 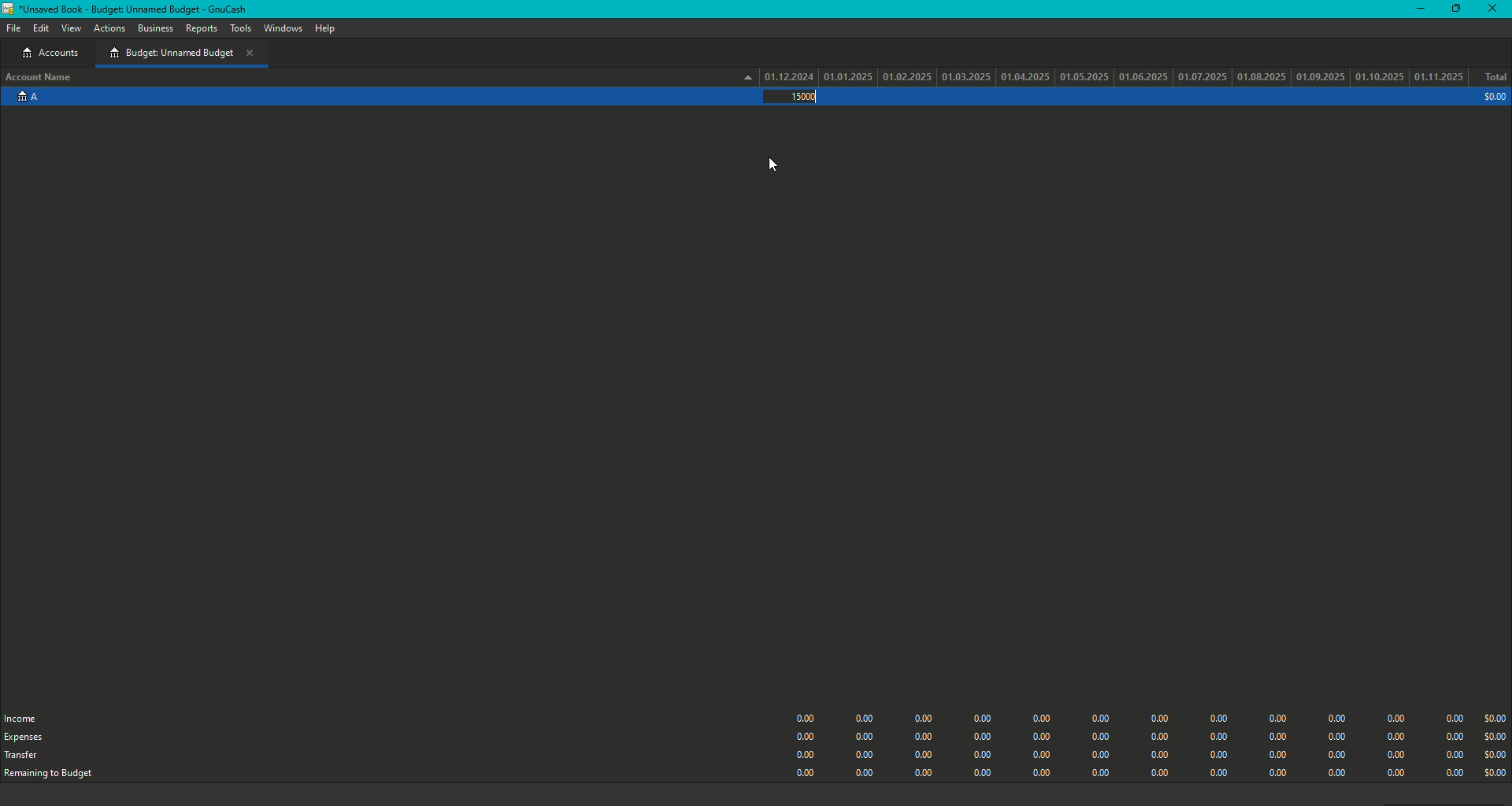 What do you see at coordinates (24, 738) in the screenshot?
I see `Expenses` at bounding box center [24, 738].